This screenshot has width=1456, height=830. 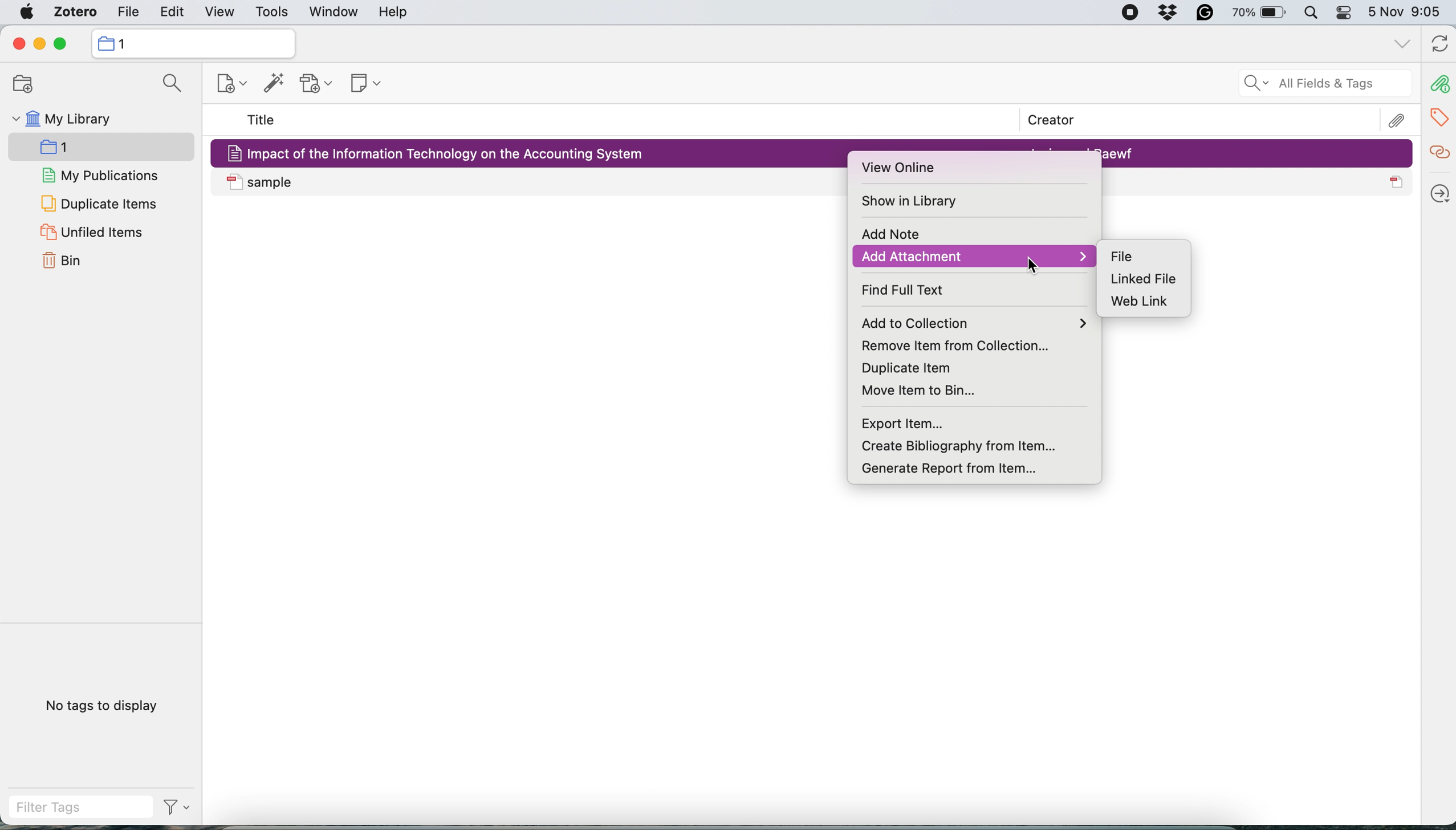 What do you see at coordinates (1122, 255) in the screenshot?
I see `file` at bounding box center [1122, 255].